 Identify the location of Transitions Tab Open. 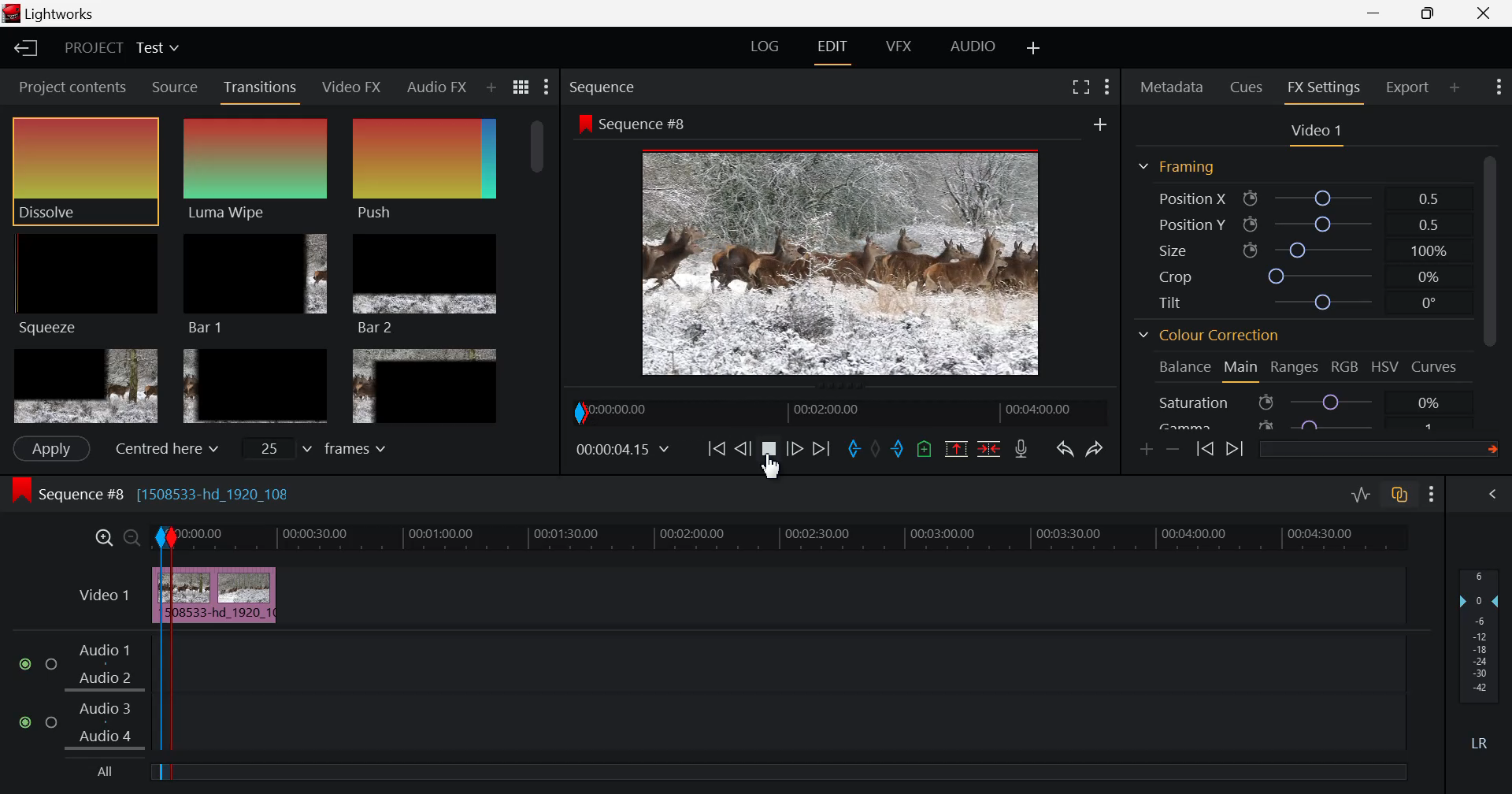
(264, 88).